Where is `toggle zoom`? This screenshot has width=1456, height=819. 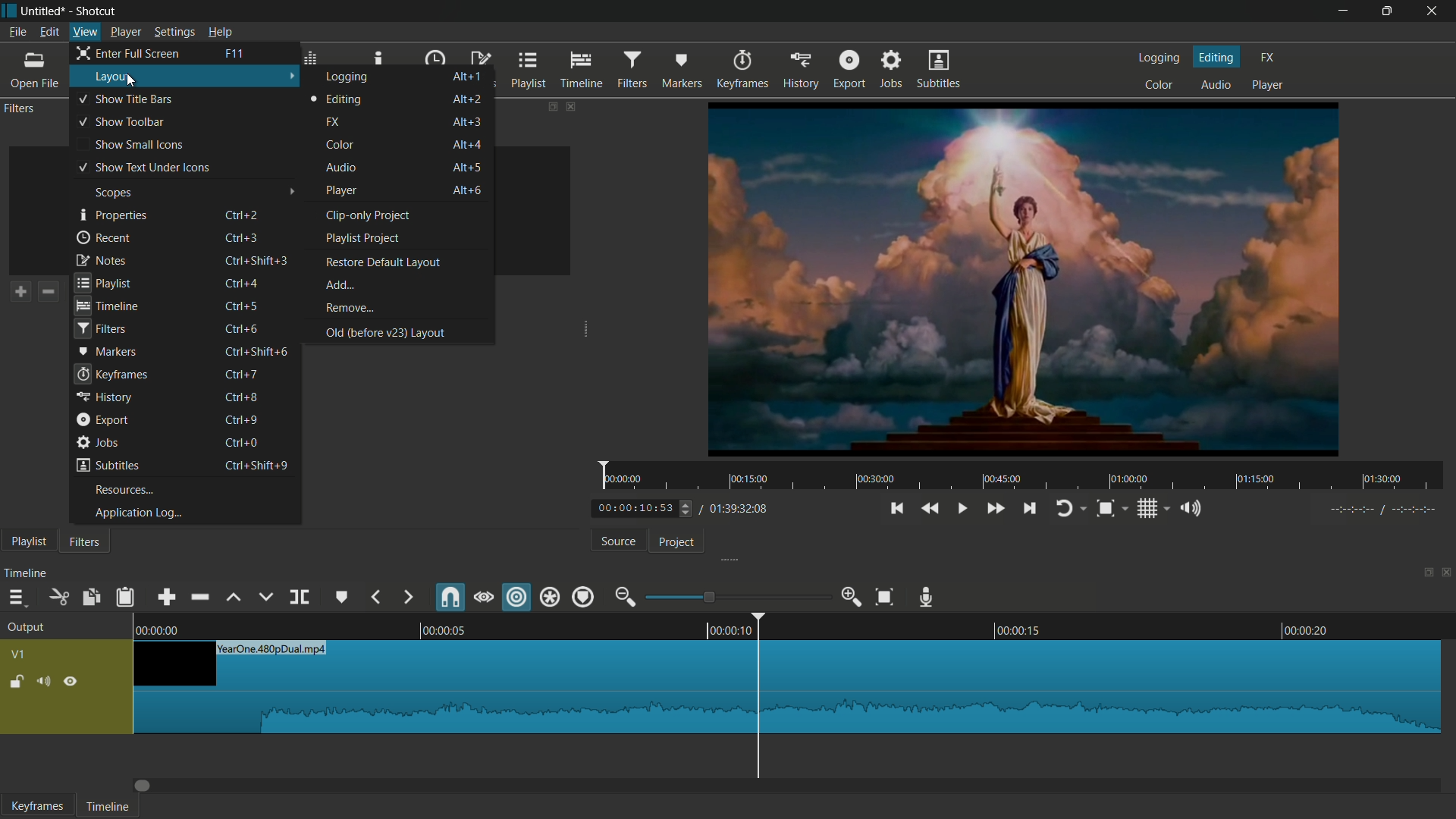
toggle zoom is located at coordinates (1106, 509).